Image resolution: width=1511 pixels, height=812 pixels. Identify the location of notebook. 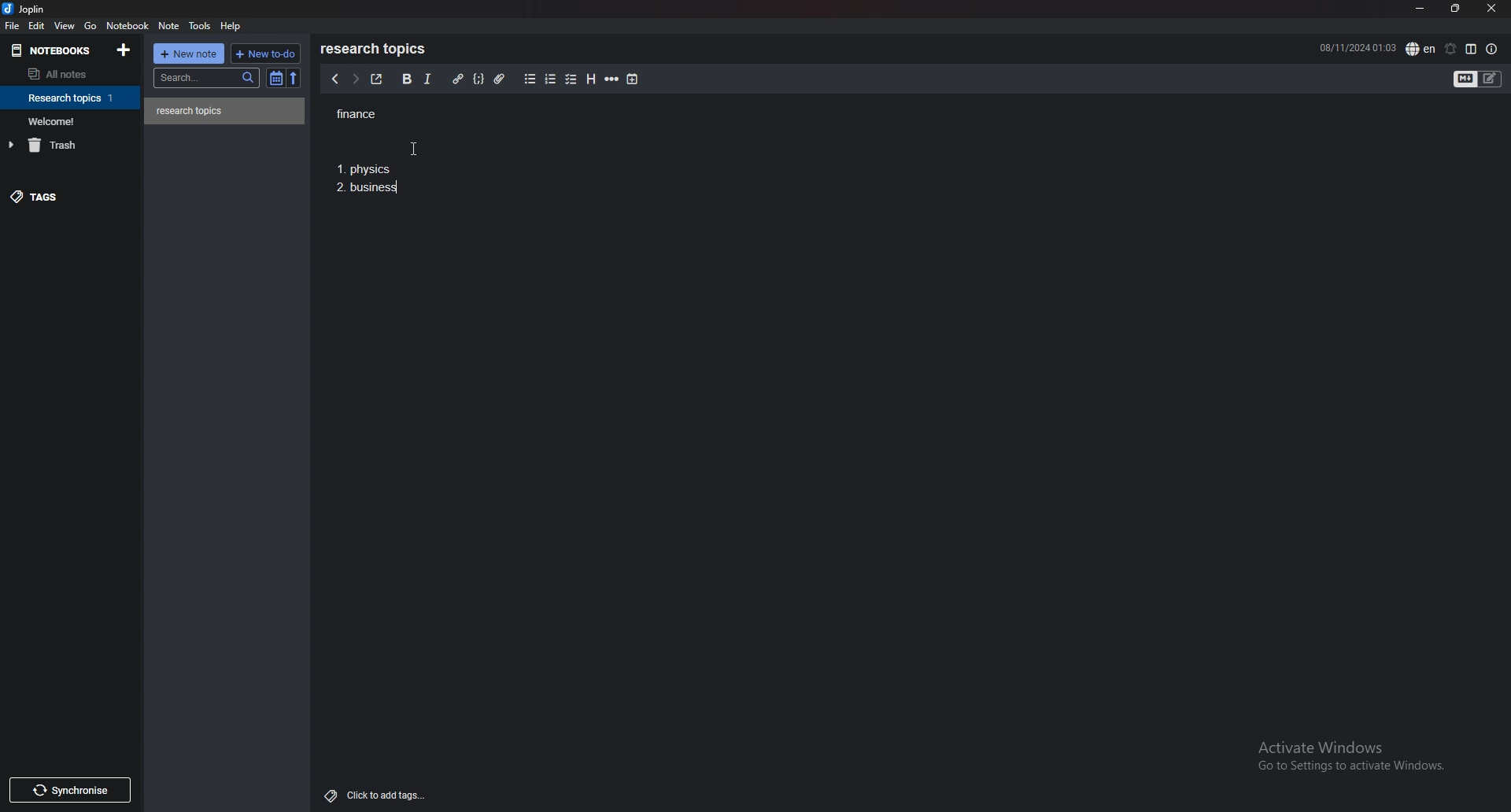
(129, 26).